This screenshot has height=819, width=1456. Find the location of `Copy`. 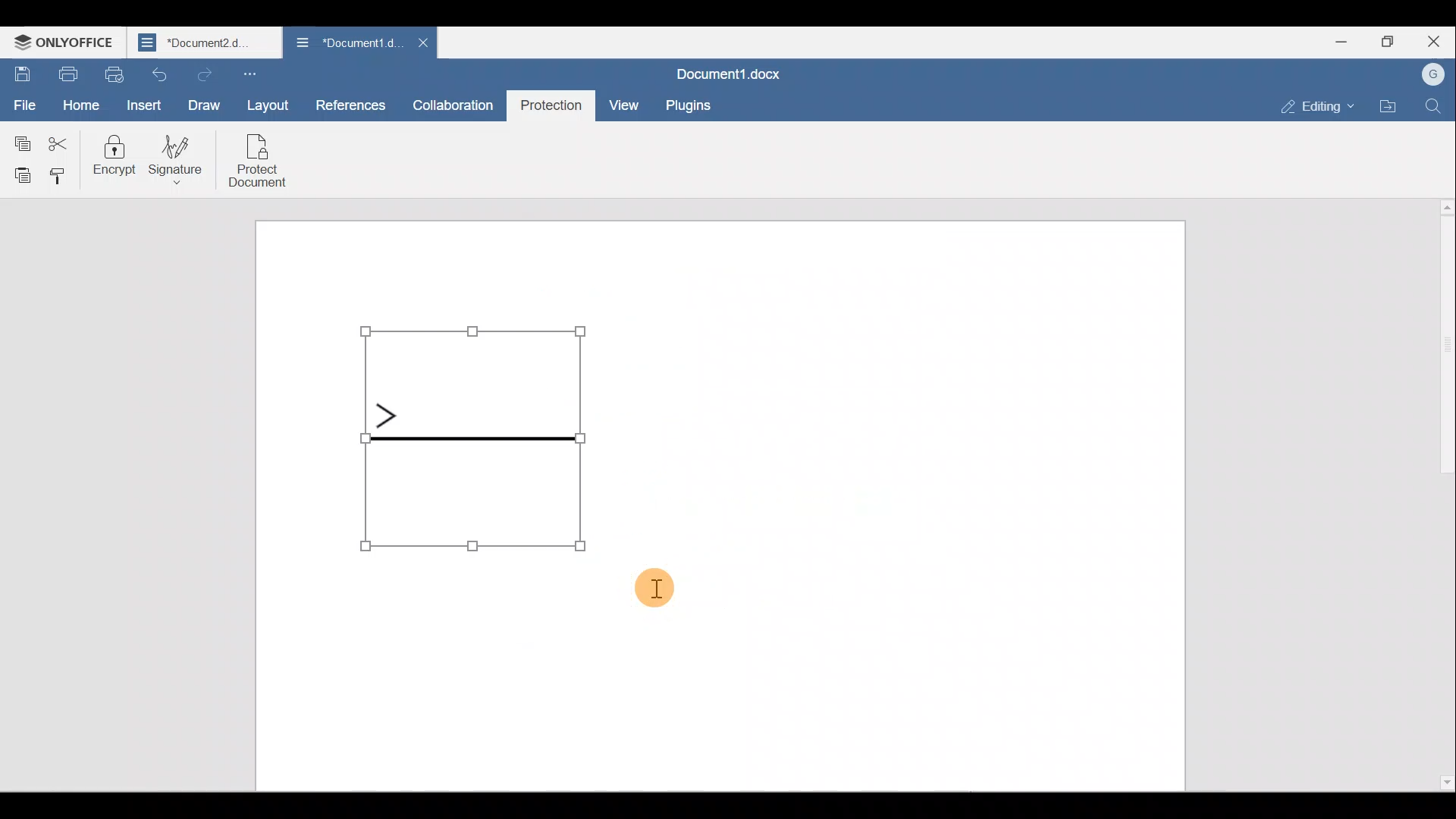

Copy is located at coordinates (19, 140).